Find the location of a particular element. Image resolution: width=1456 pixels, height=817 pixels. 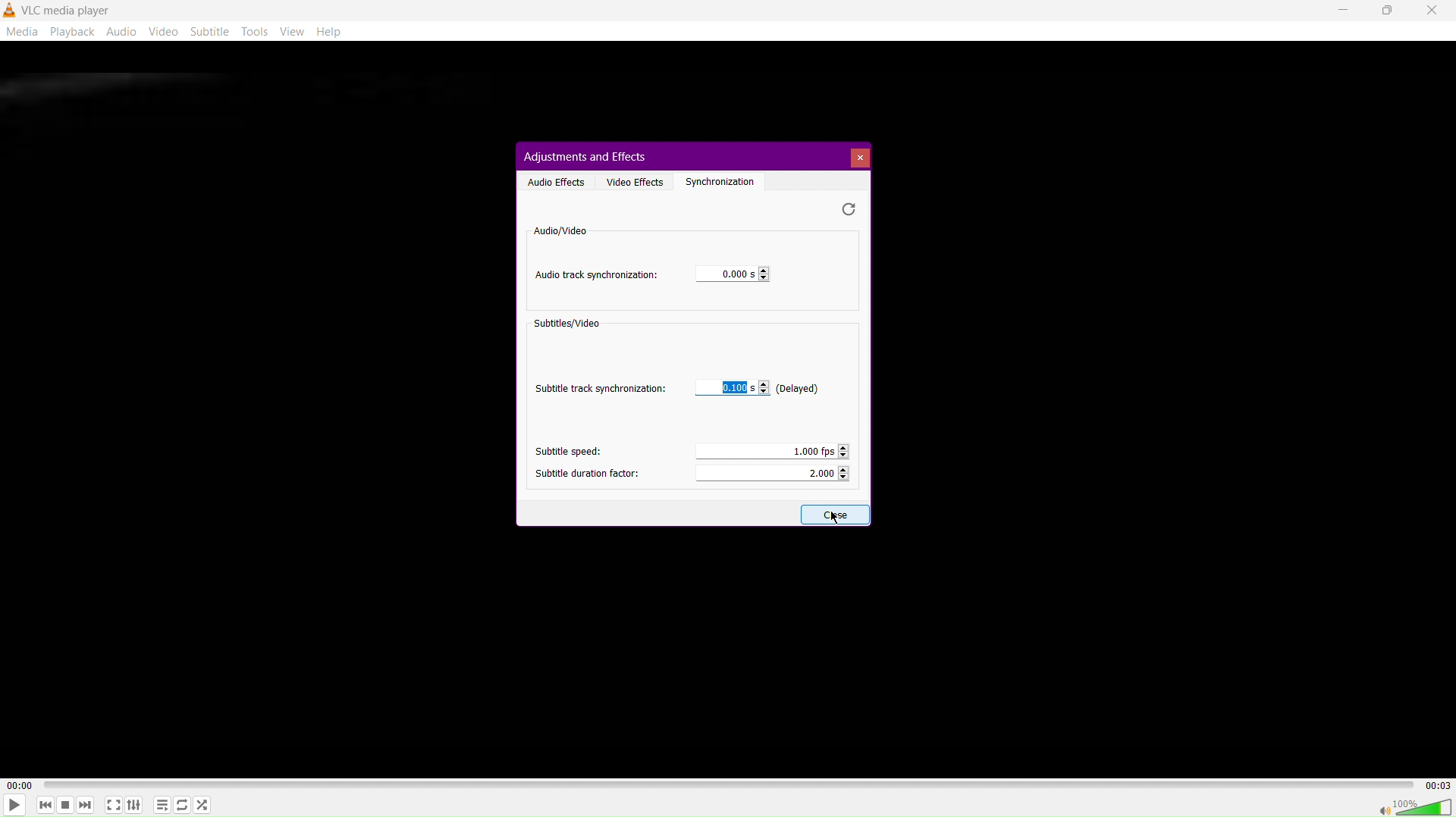

Subtitle speed: is located at coordinates (563, 451).